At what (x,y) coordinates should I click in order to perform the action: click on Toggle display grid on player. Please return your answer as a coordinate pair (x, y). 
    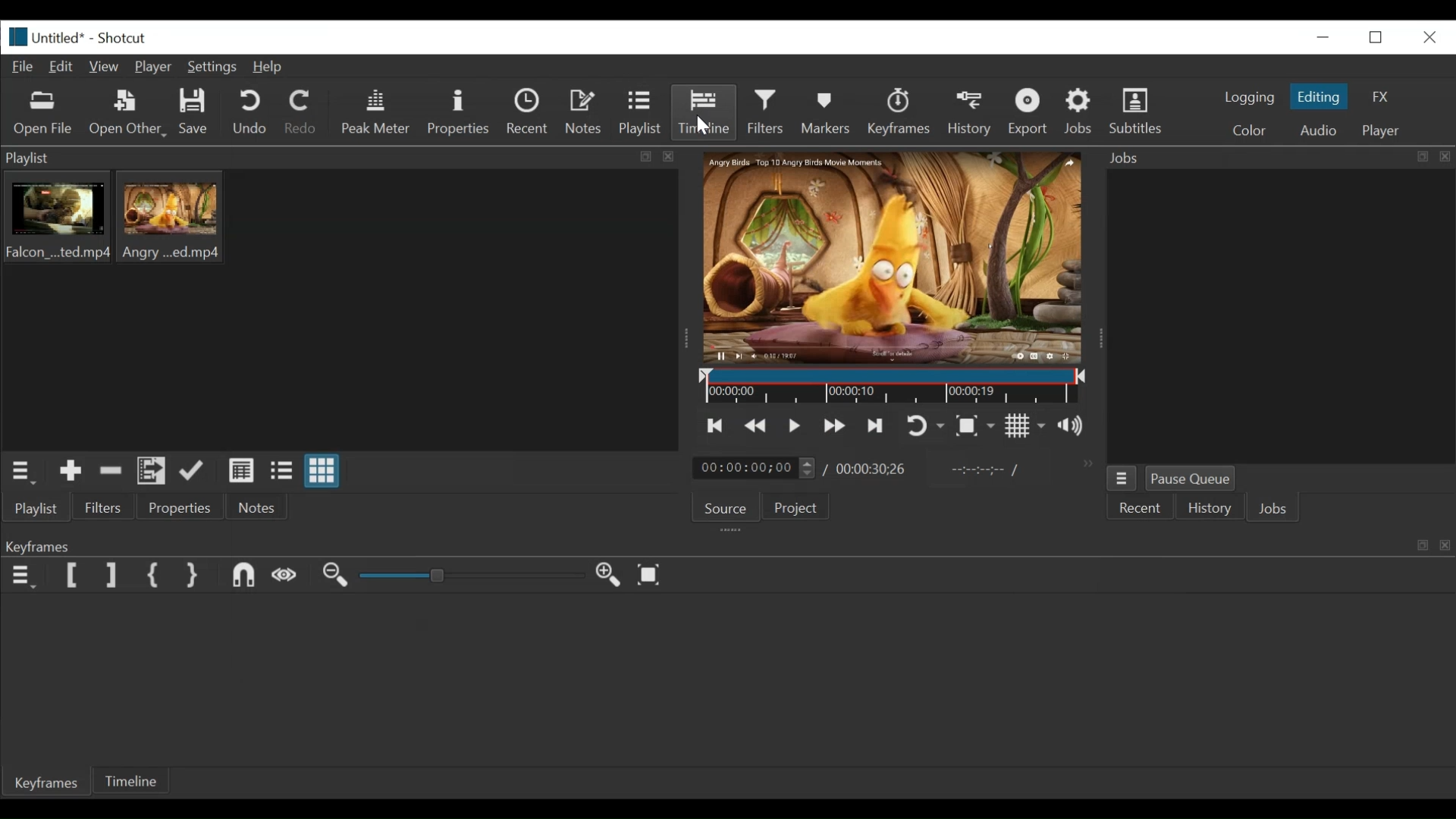
    Looking at the image, I should click on (1025, 425).